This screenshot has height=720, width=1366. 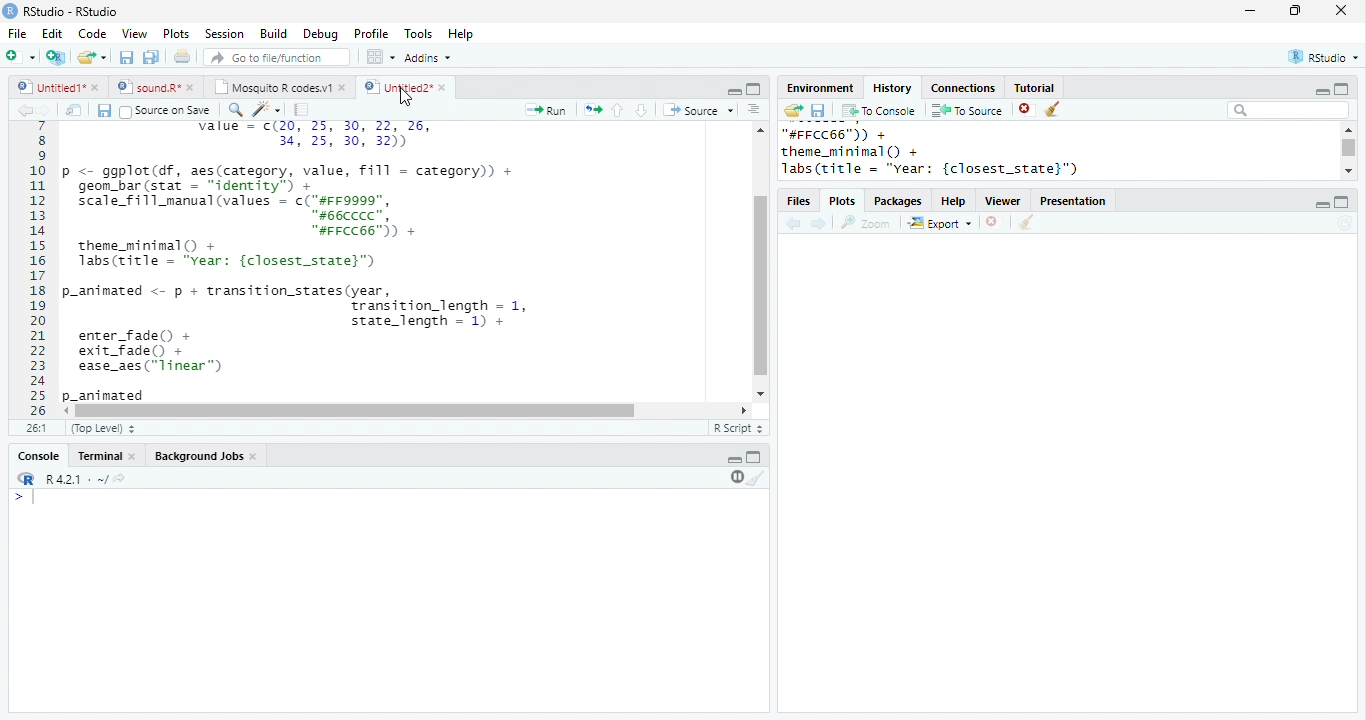 I want to click on clear, so click(x=1027, y=222).